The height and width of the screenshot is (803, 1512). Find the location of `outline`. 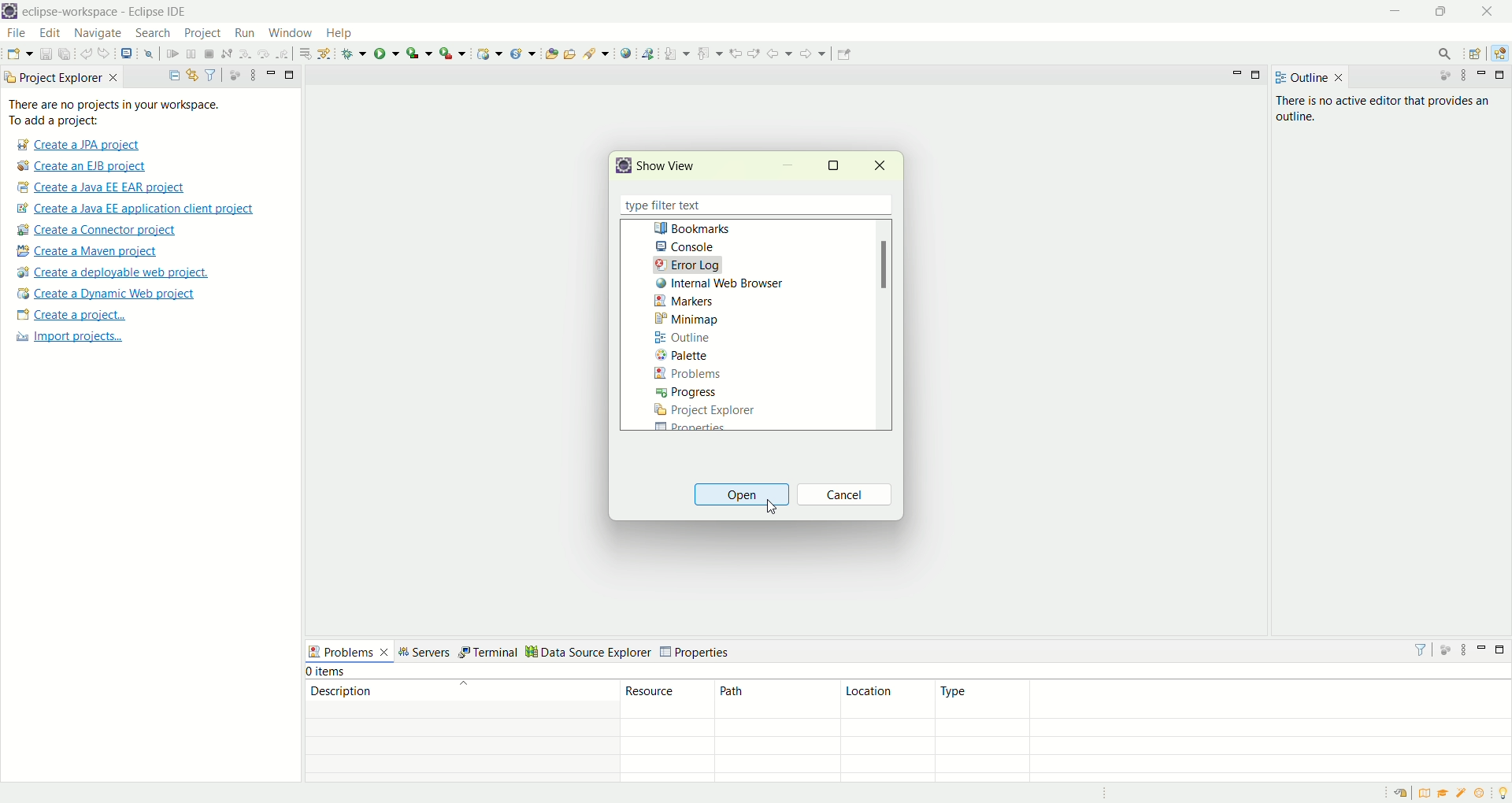

outline is located at coordinates (686, 340).